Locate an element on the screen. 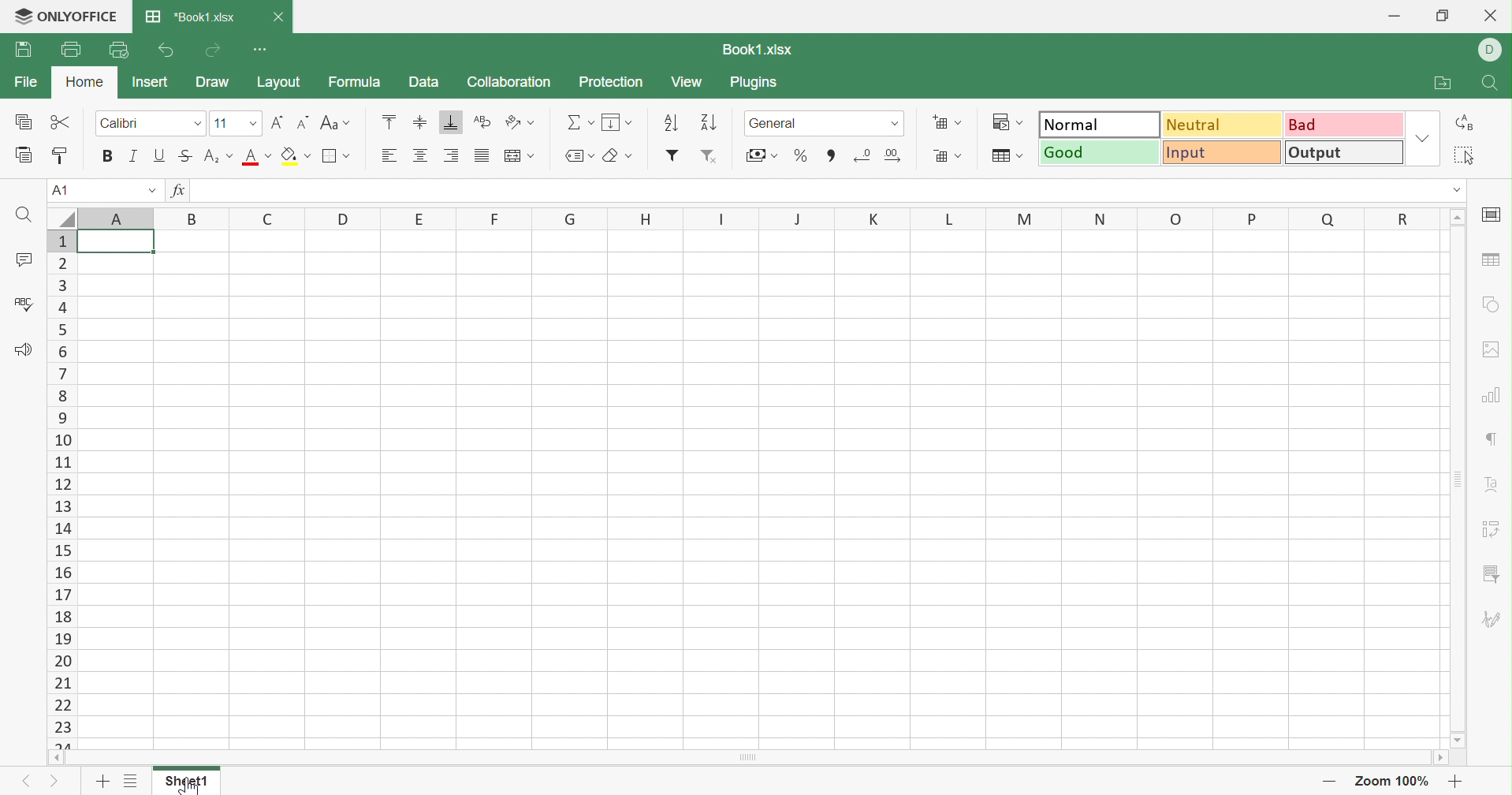 The width and height of the screenshot is (1512, 795). Align Center is located at coordinates (423, 155).